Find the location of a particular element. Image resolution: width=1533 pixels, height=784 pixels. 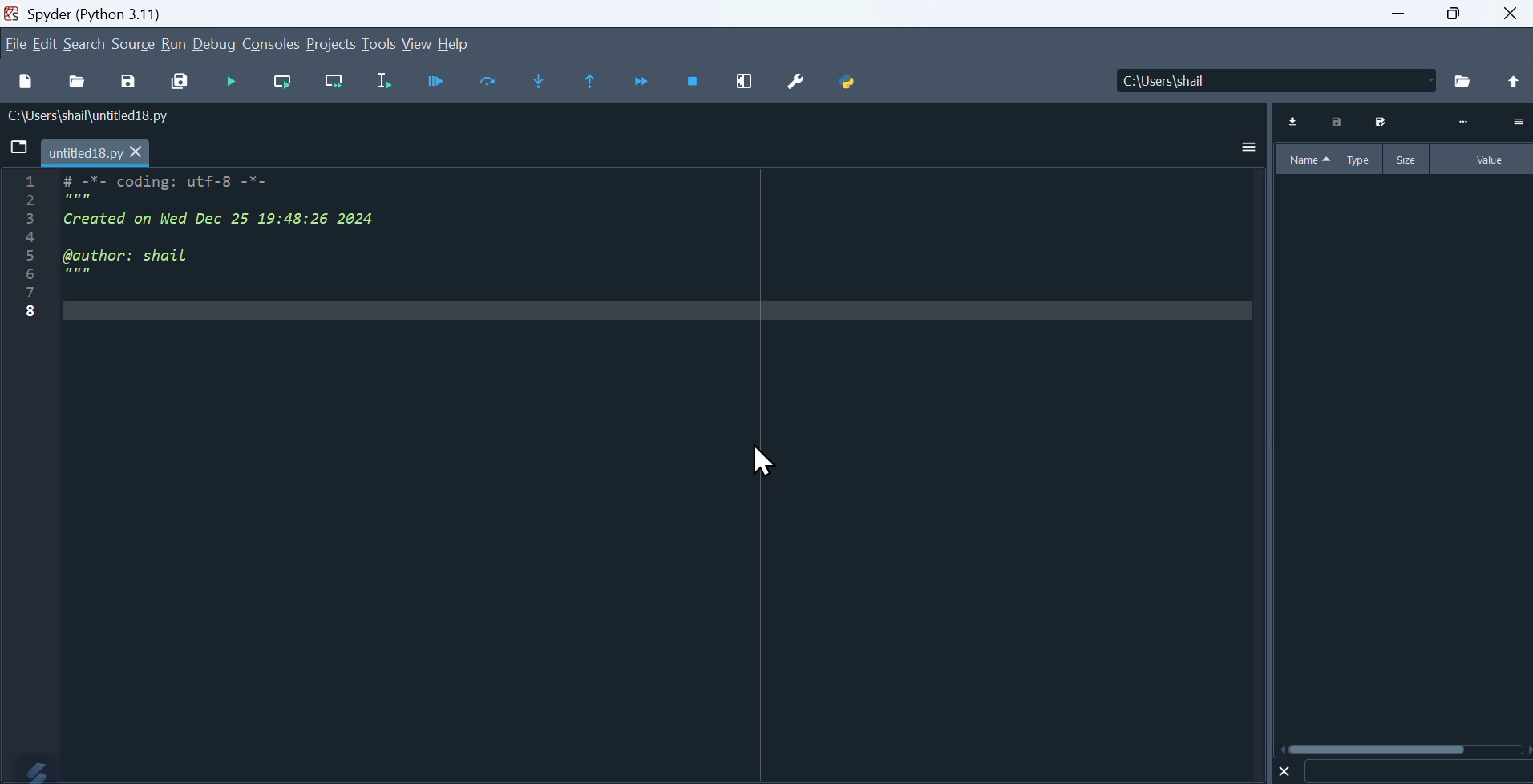

File is located at coordinates (20, 148).